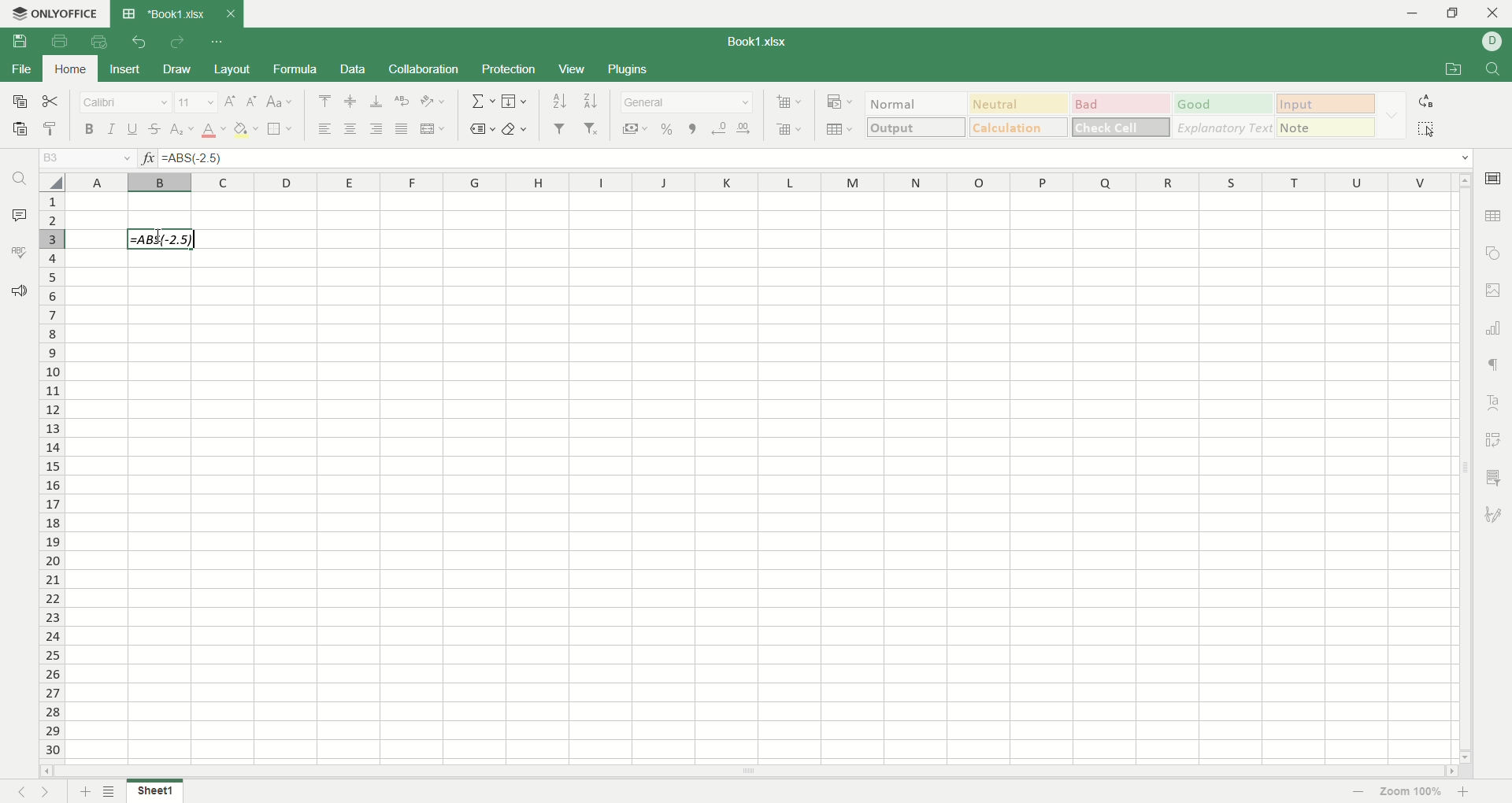 The width and height of the screenshot is (1512, 803). What do you see at coordinates (636, 130) in the screenshot?
I see `currency style` at bounding box center [636, 130].